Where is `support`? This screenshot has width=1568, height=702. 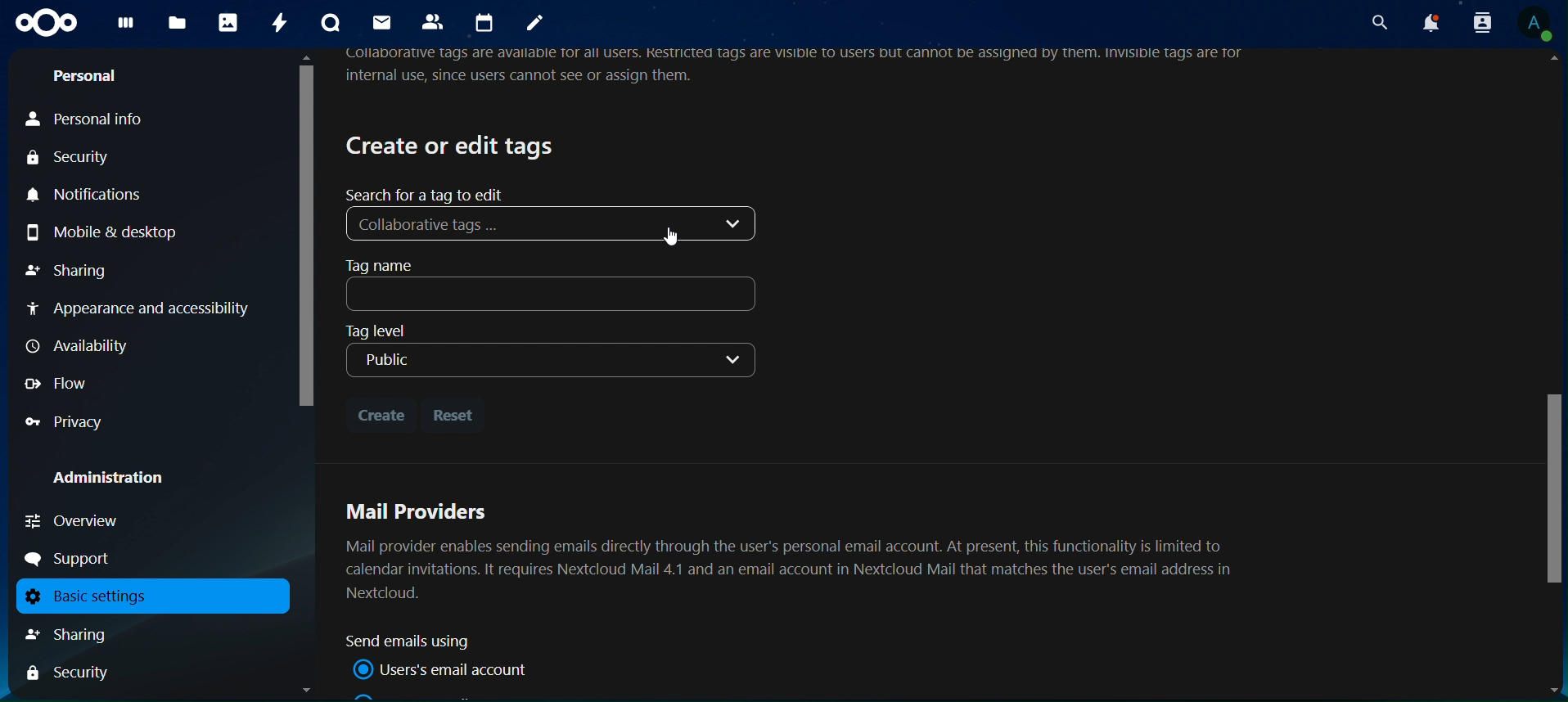 support is located at coordinates (74, 559).